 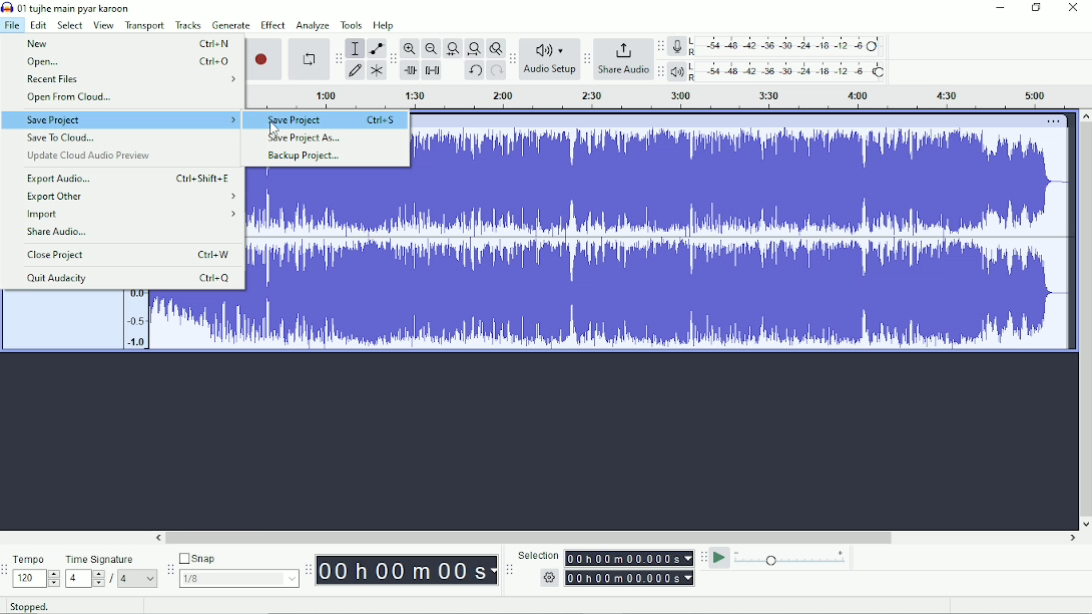 I want to click on File, so click(x=12, y=25).